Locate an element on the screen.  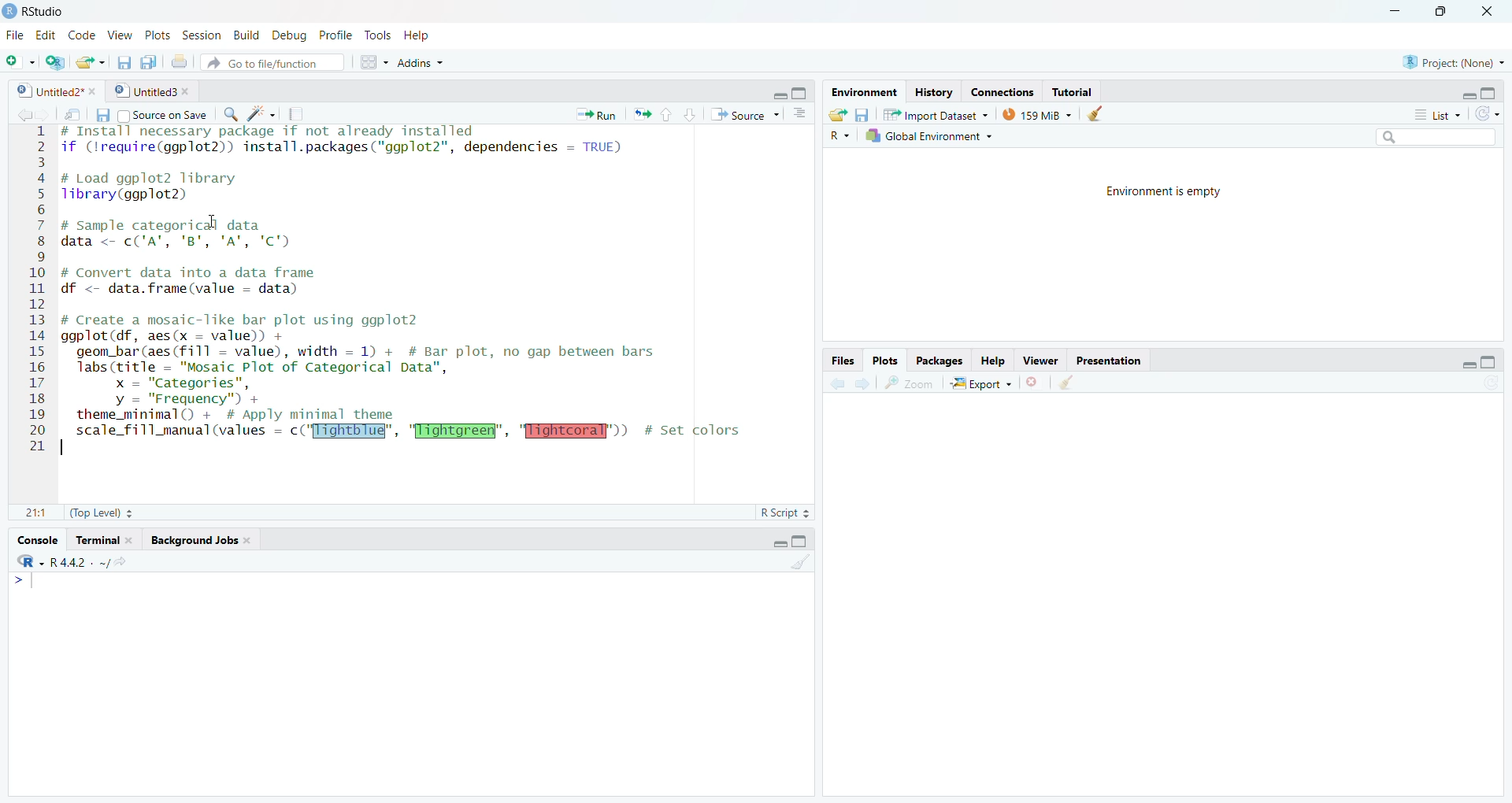
Clean is located at coordinates (801, 562).